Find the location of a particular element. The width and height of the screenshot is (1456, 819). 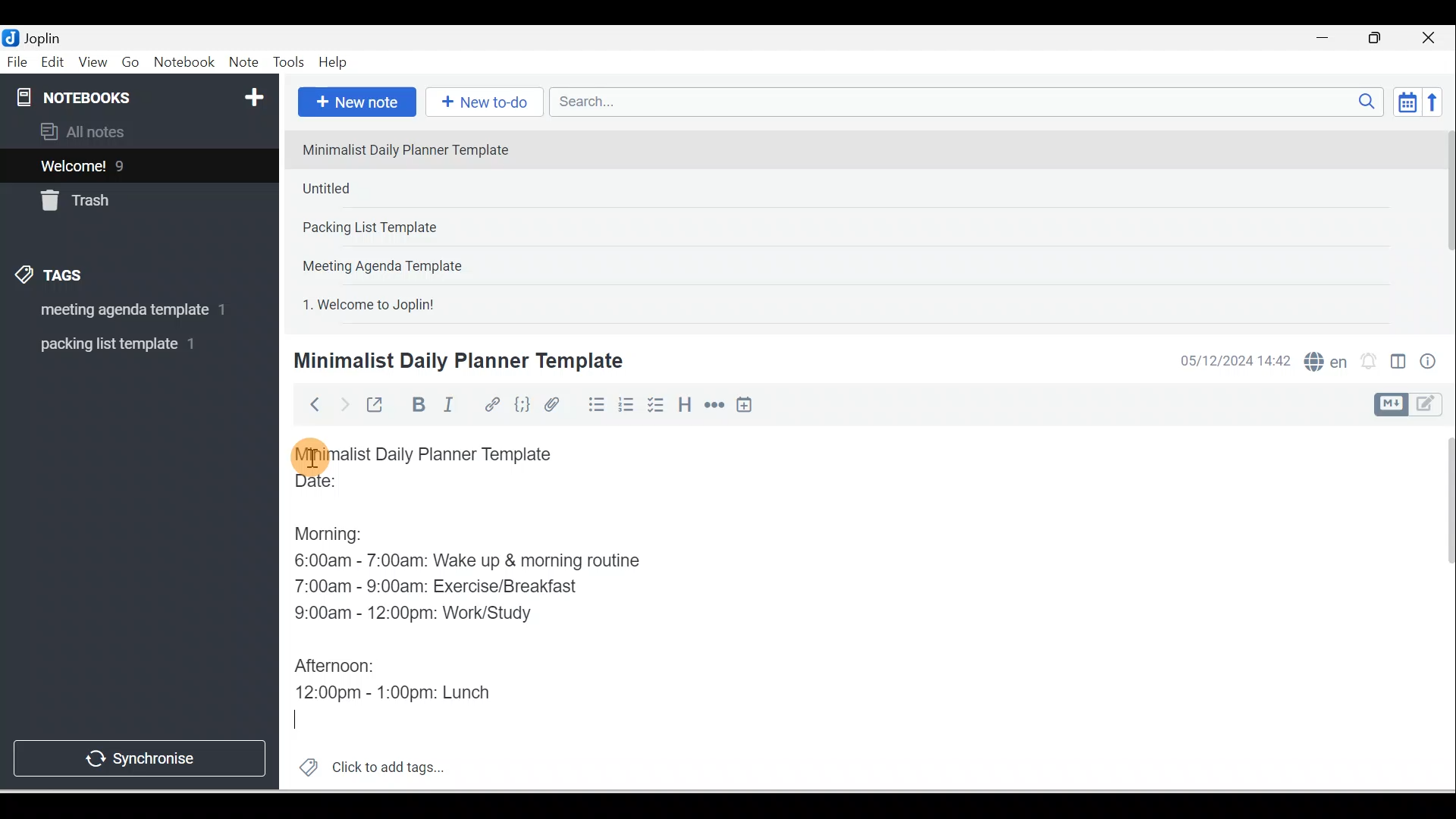

File is located at coordinates (18, 61).